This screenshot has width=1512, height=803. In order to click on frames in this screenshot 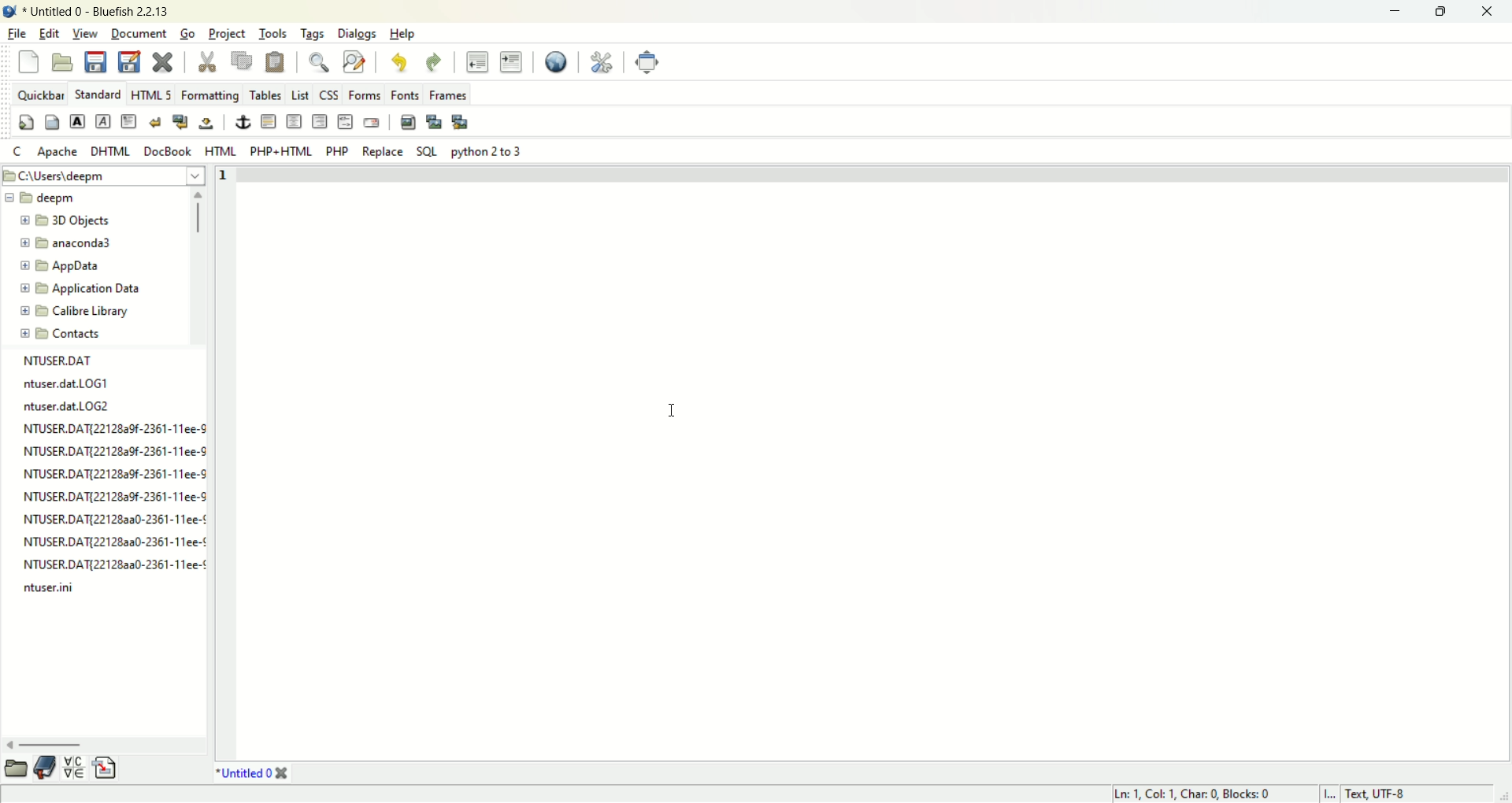, I will do `click(450, 96)`.